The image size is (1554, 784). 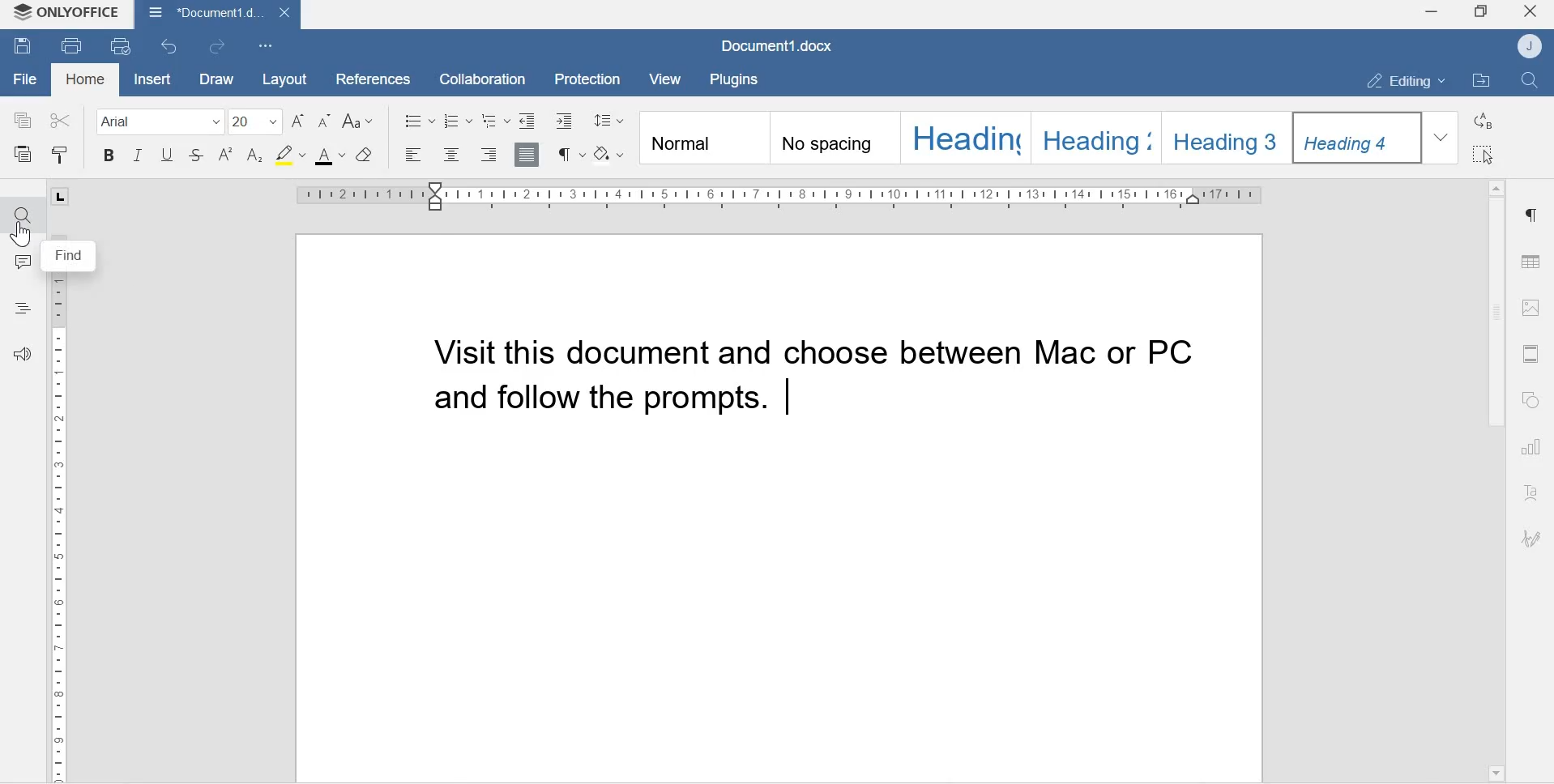 I want to click on Find, so click(x=72, y=257).